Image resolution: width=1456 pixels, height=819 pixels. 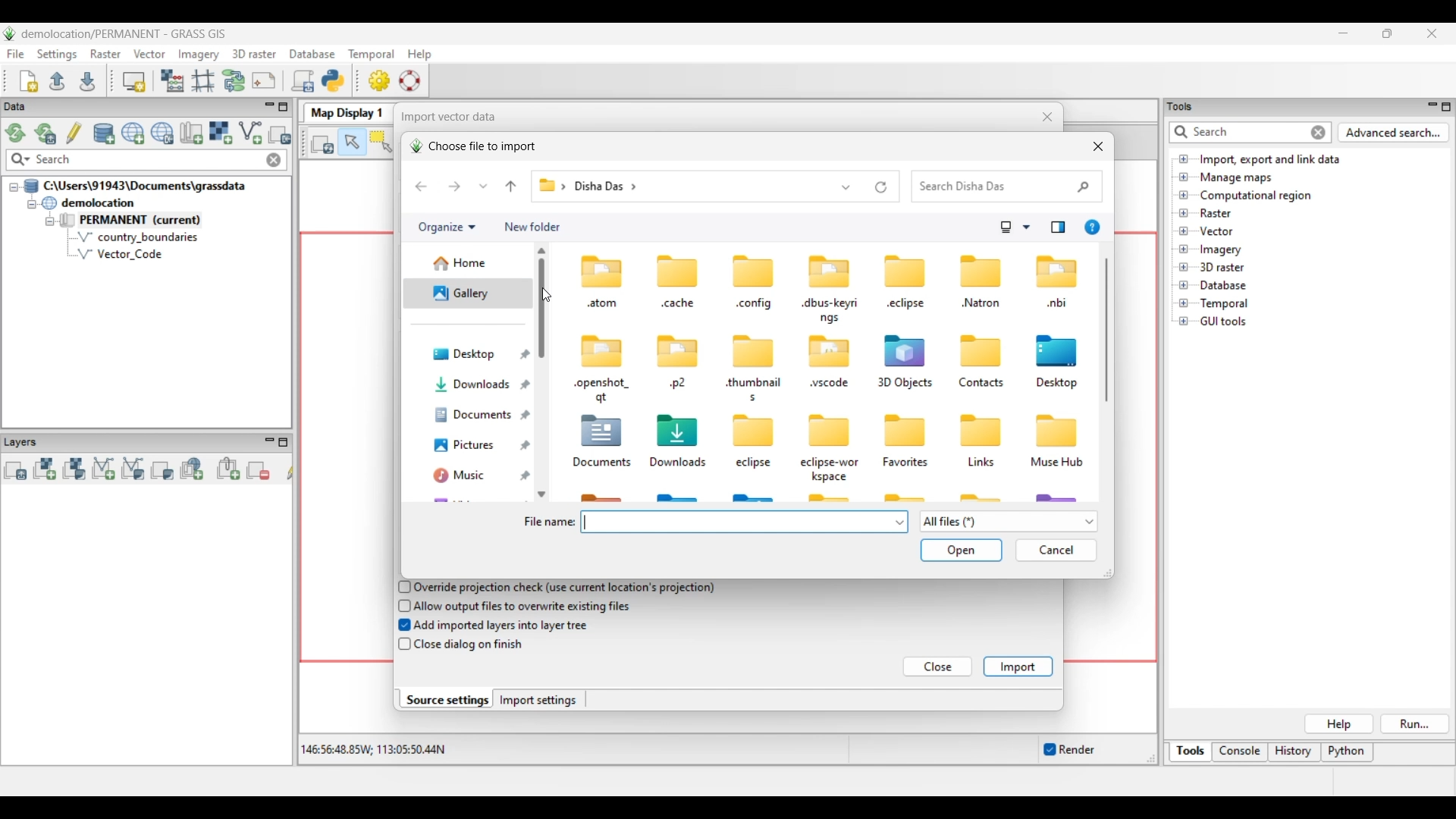 I want to click on Show interface in a smaller tab, so click(x=1387, y=33).